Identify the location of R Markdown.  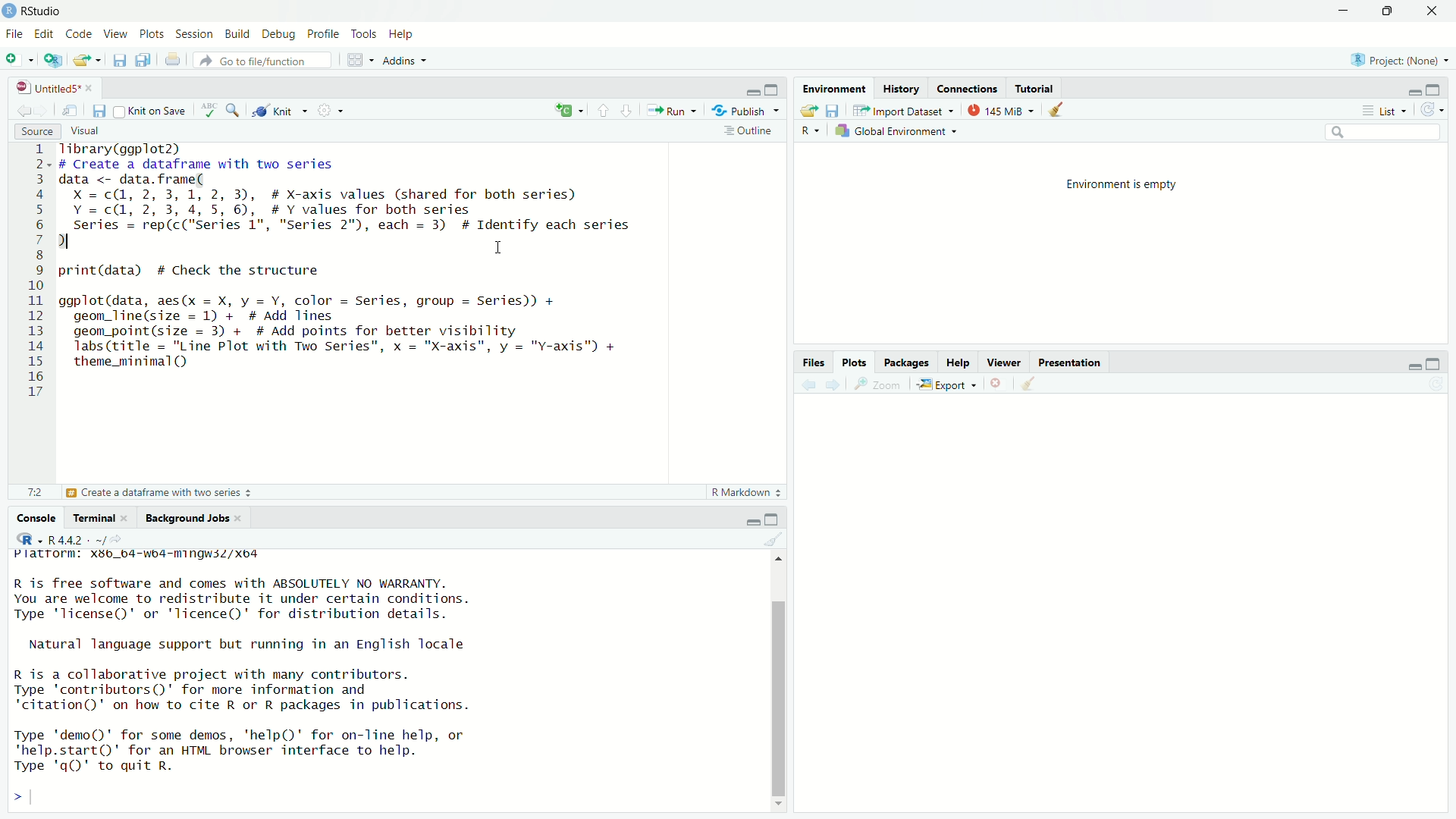
(746, 493).